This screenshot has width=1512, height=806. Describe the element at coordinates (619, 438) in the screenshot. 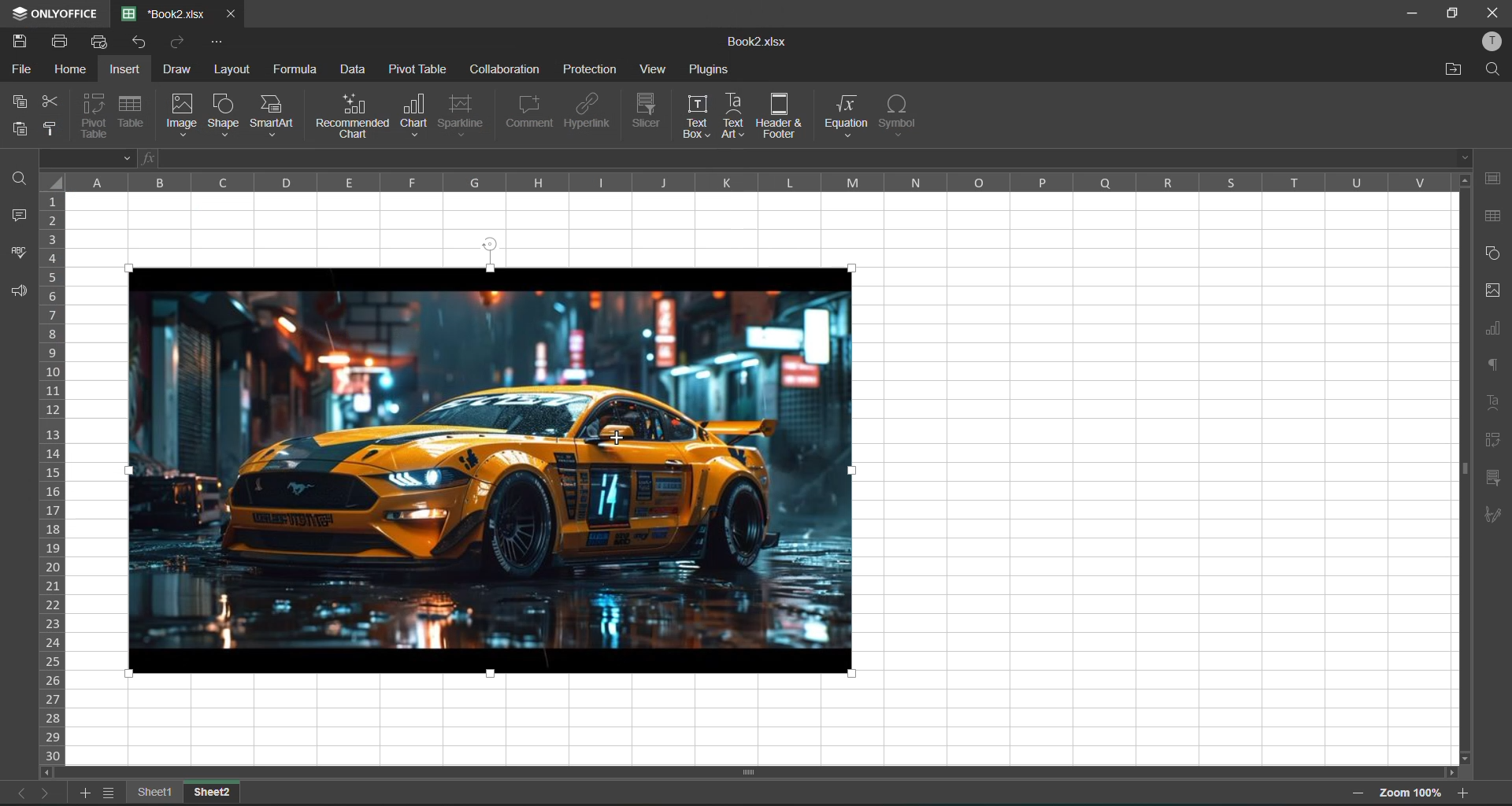

I see `cursor` at that location.